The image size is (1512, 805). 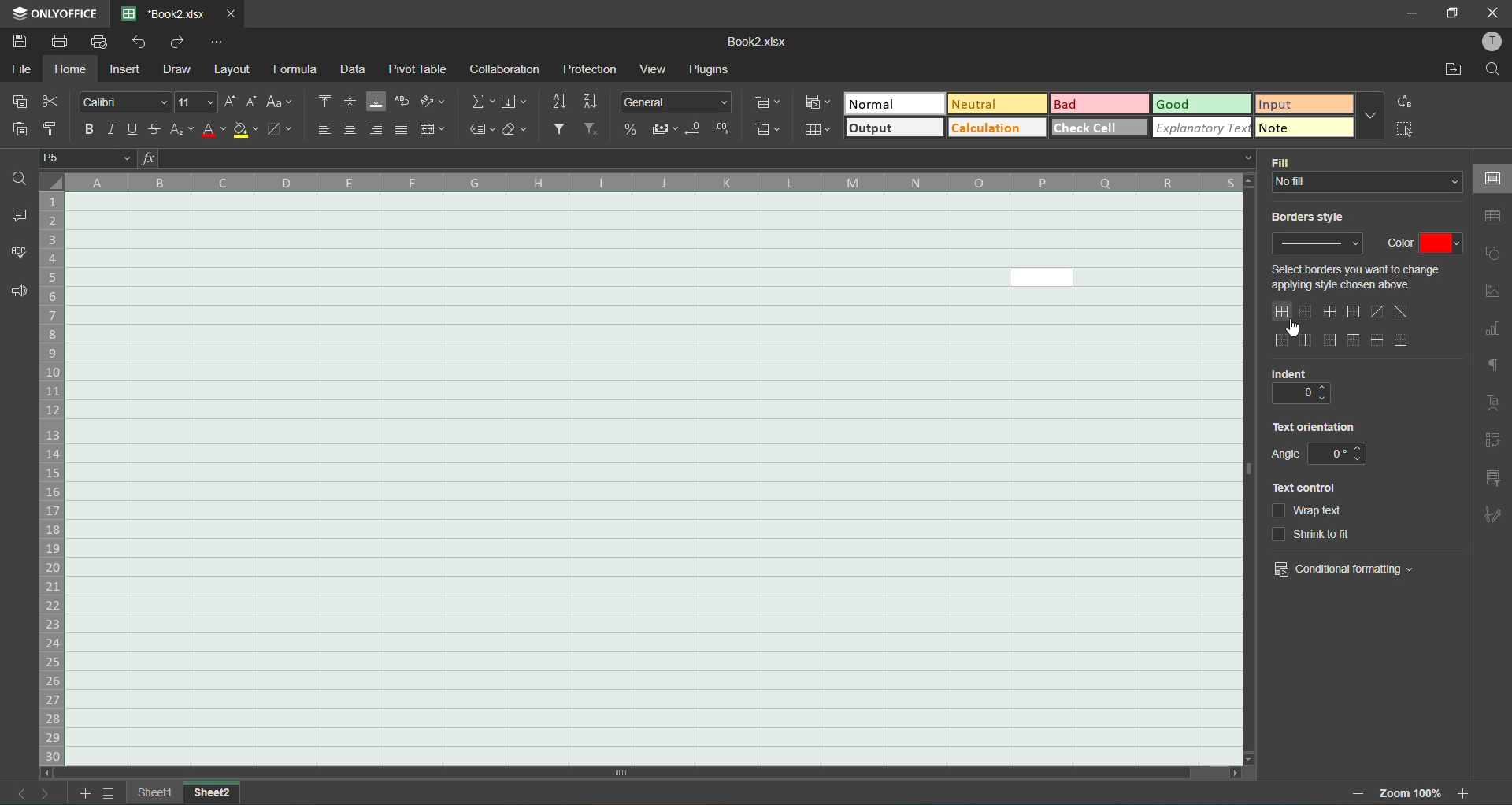 What do you see at coordinates (1097, 125) in the screenshot?
I see `check cell` at bounding box center [1097, 125].